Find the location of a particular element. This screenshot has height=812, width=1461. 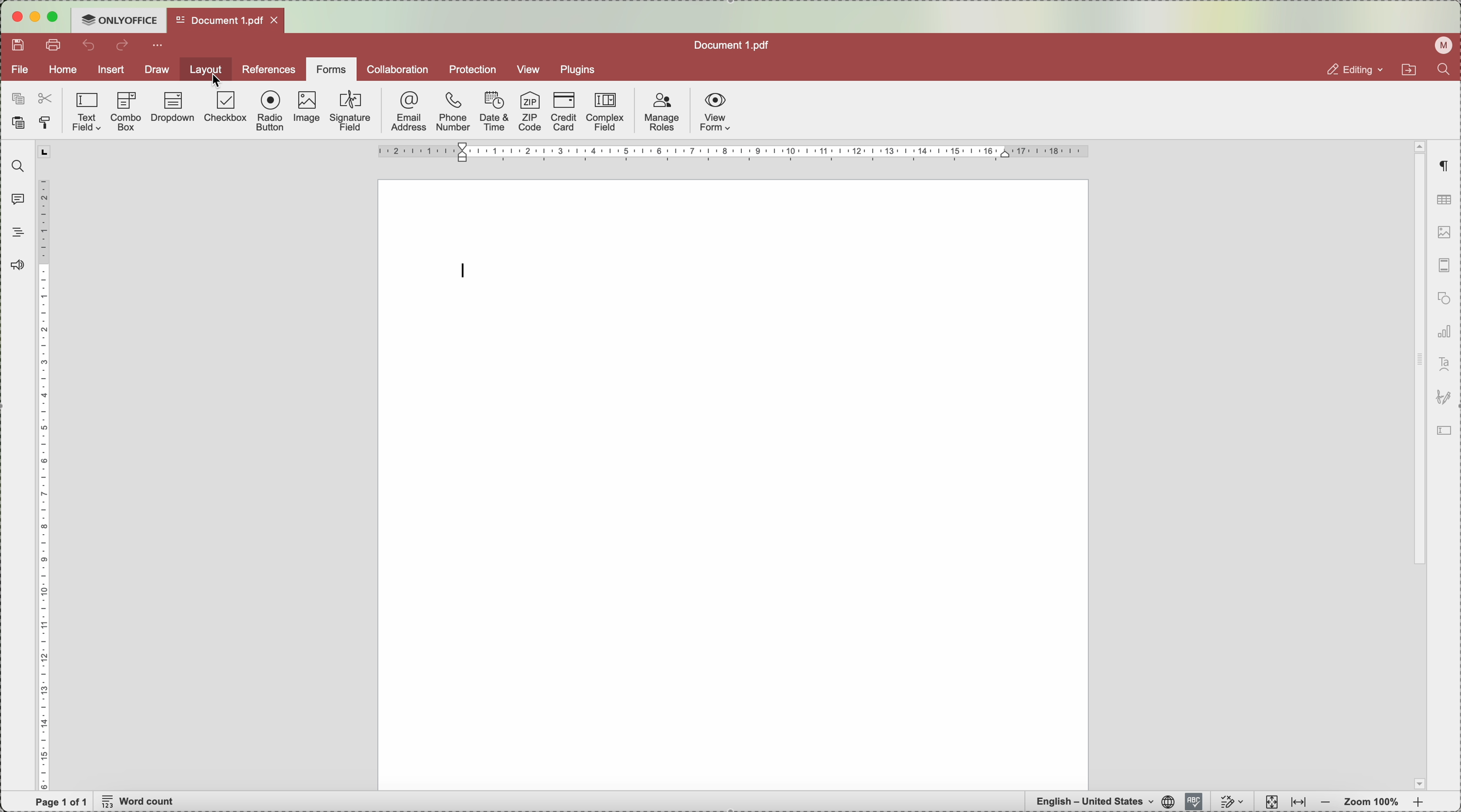

open file location is located at coordinates (1407, 71).